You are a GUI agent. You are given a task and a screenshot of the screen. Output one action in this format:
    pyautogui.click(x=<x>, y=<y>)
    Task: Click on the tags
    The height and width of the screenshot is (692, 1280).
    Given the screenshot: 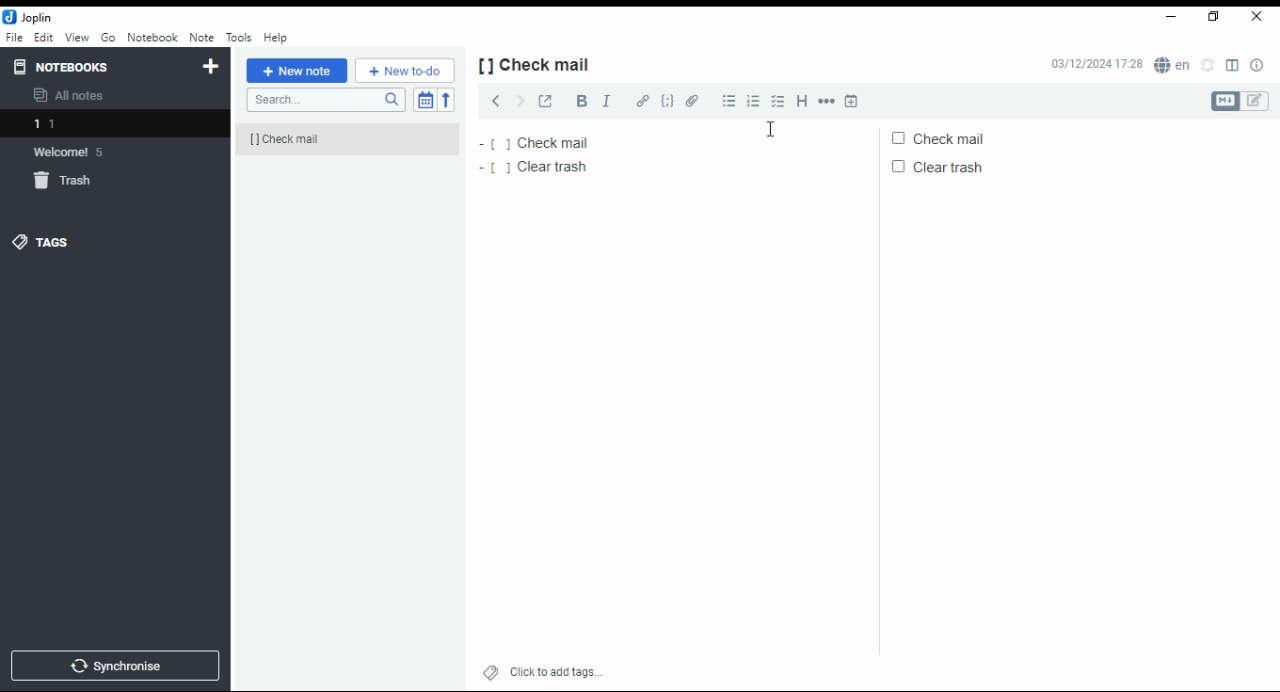 What is the action you would take?
    pyautogui.click(x=52, y=247)
    